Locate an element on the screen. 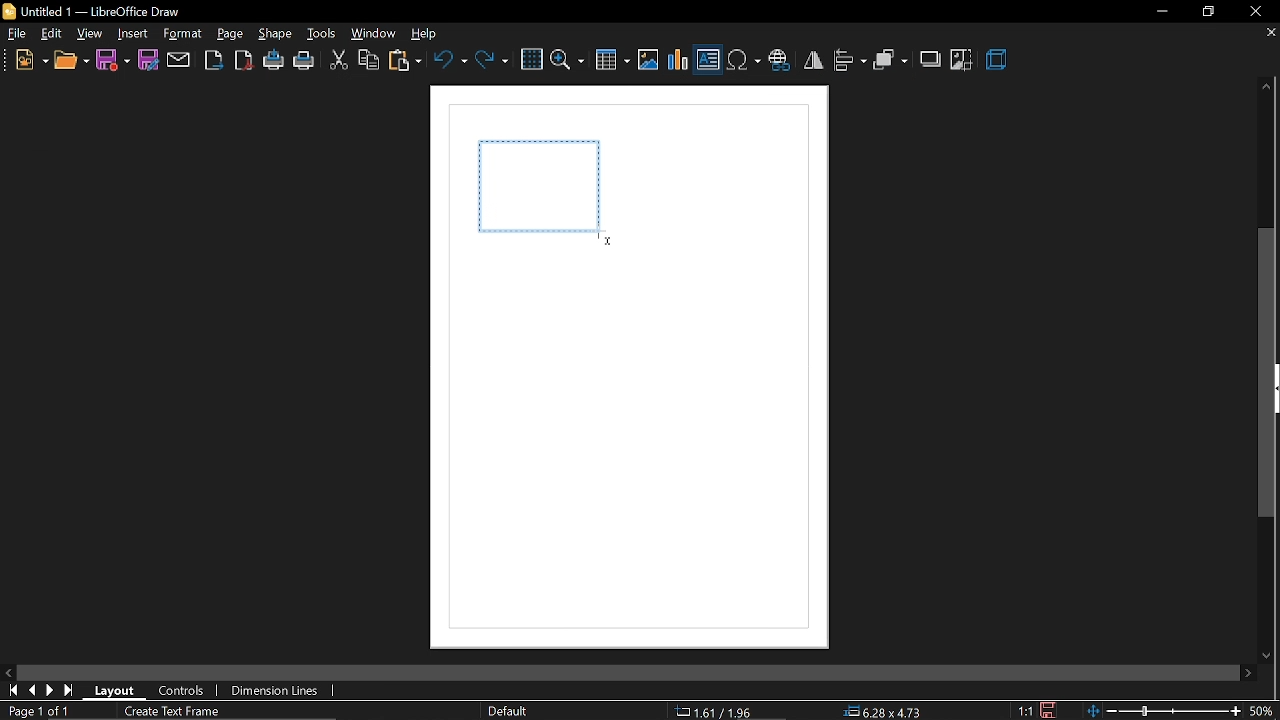 The height and width of the screenshot is (720, 1280). Cursor is located at coordinates (606, 238).